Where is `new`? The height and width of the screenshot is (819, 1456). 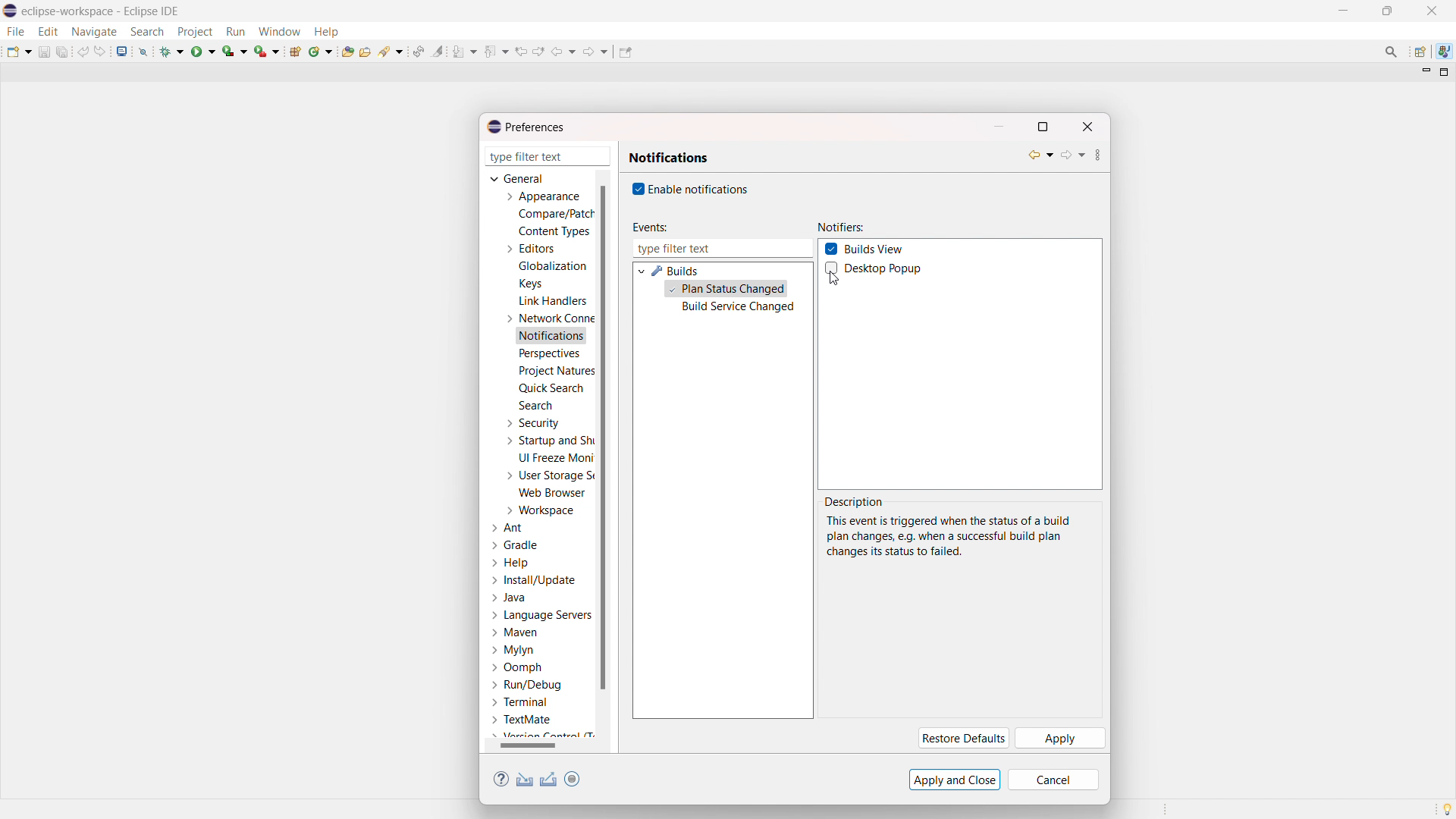
new is located at coordinates (19, 51).